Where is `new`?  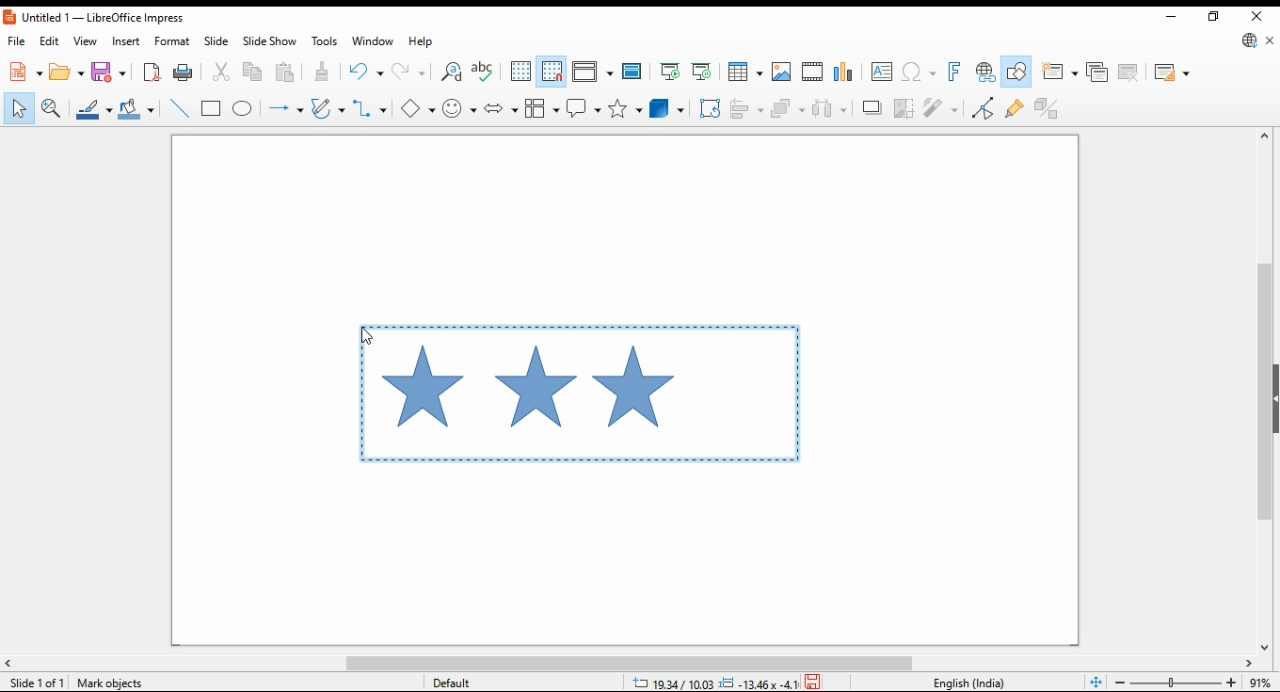 new is located at coordinates (23, 71).